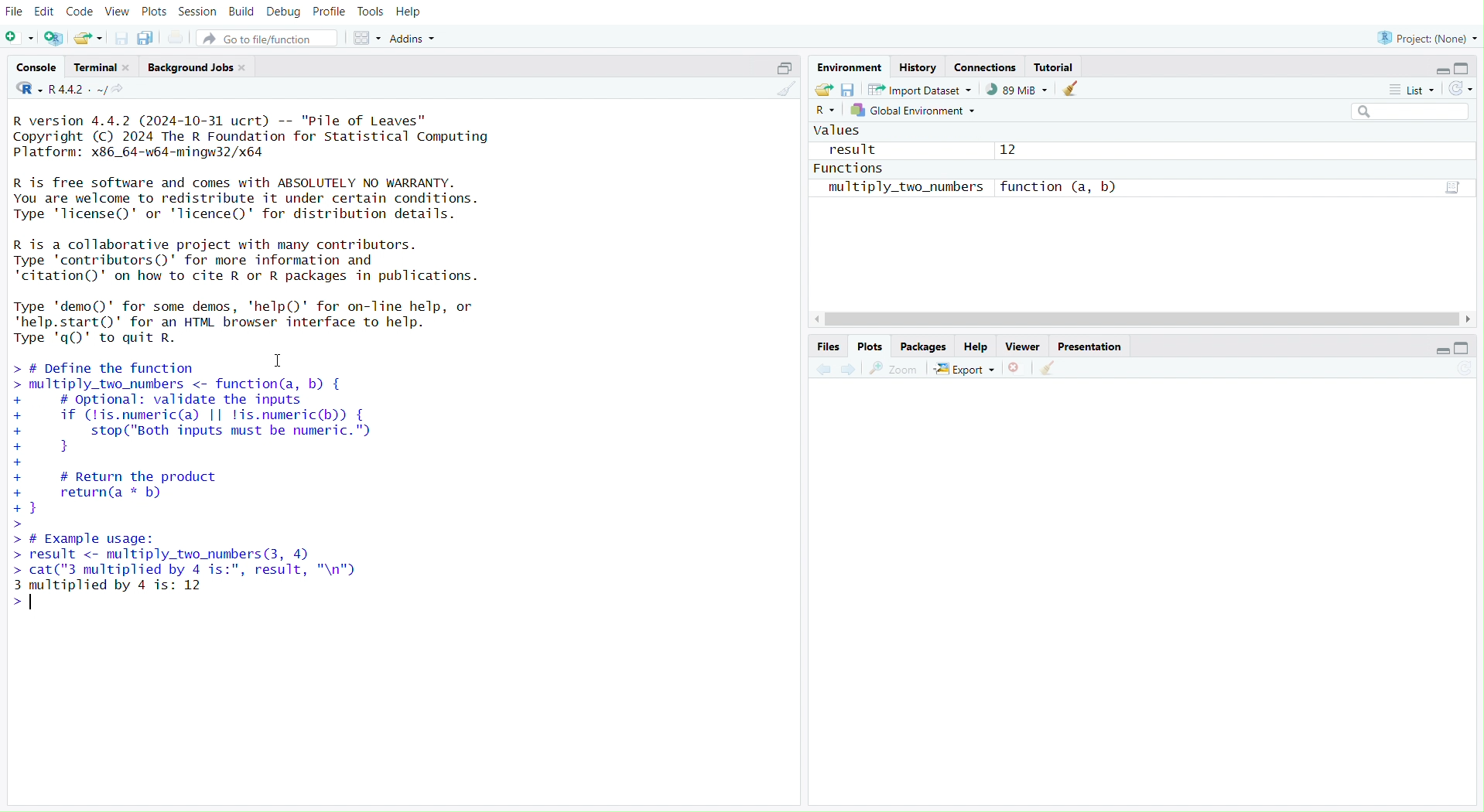  I want to click on View, so click(115, 11).